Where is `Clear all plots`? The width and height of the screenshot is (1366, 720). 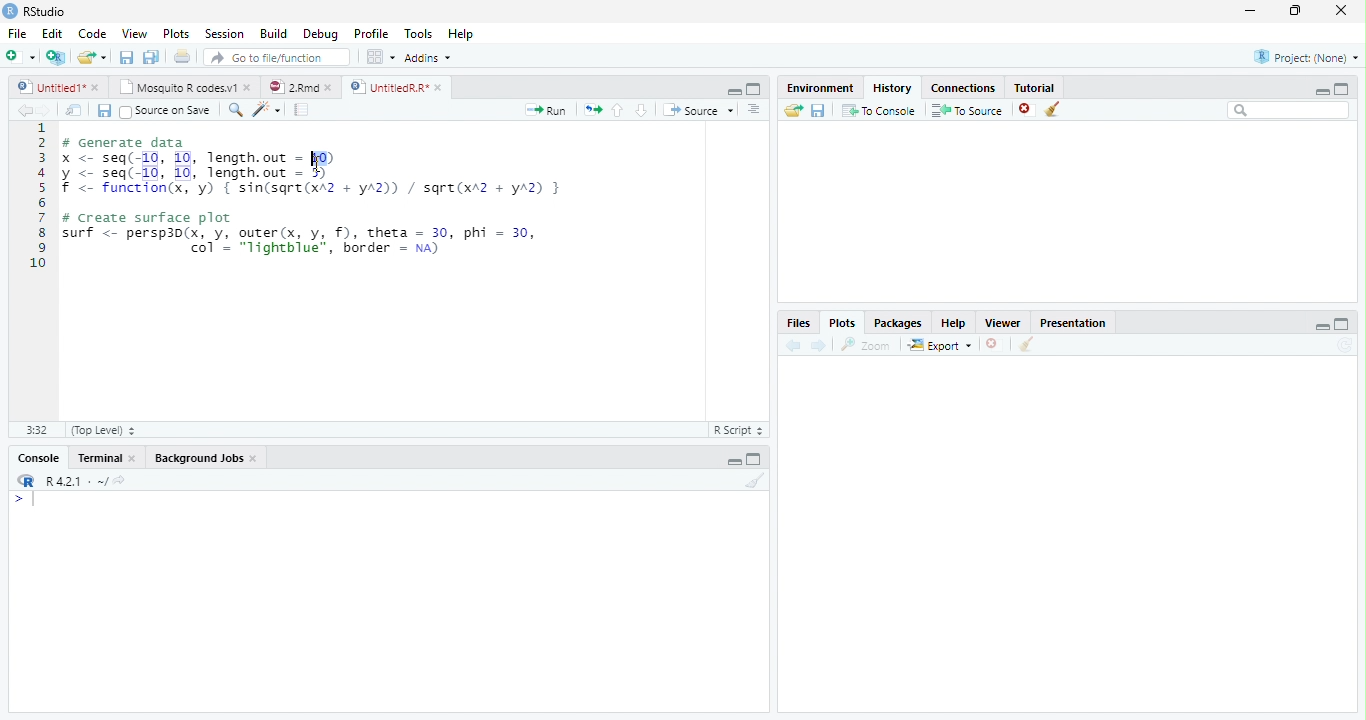
Clear all plots is located at coordinates (1026, 344).